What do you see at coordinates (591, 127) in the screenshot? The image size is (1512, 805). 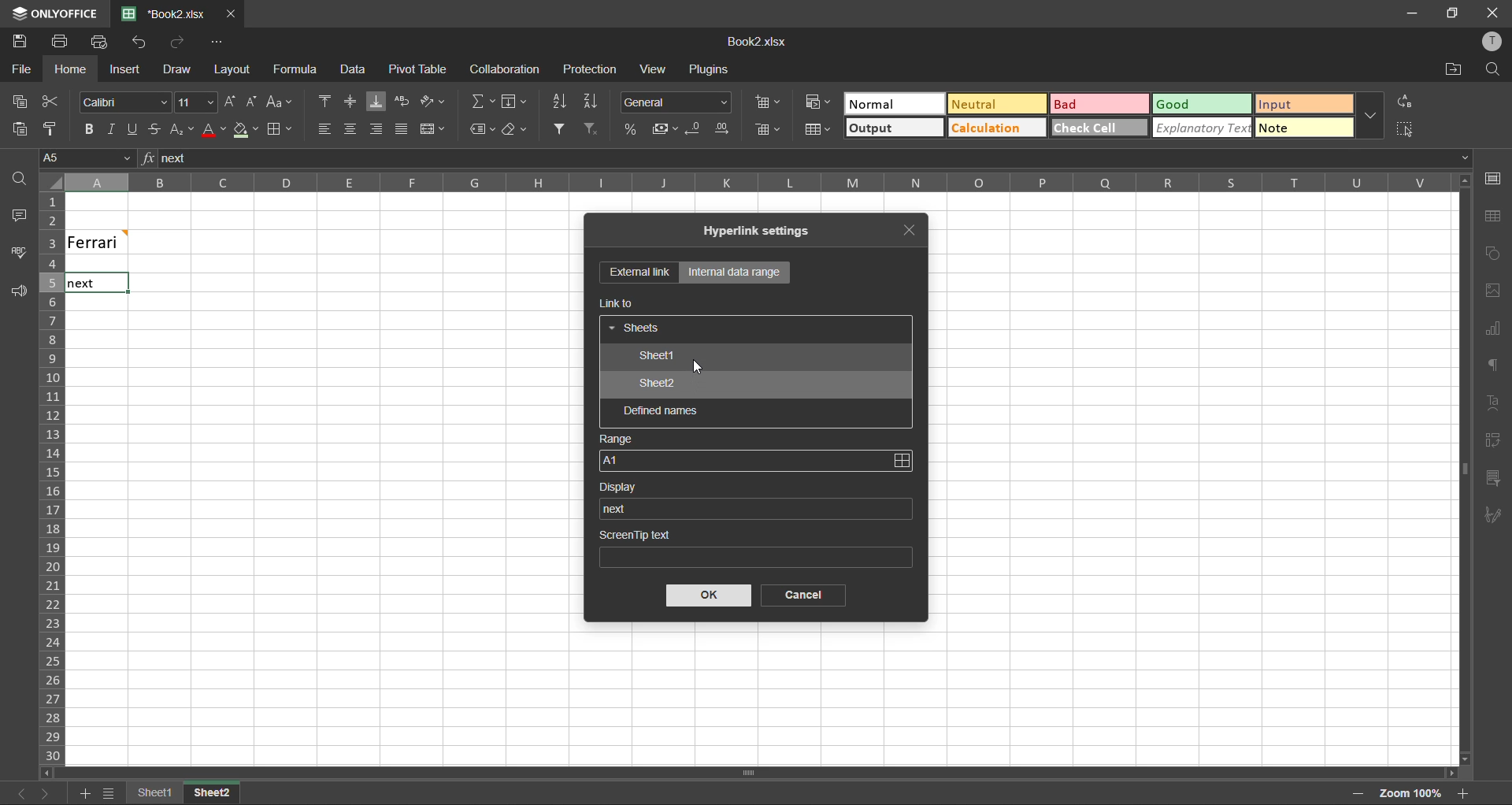 I see `clear filter` at bounding box center [591, 127].